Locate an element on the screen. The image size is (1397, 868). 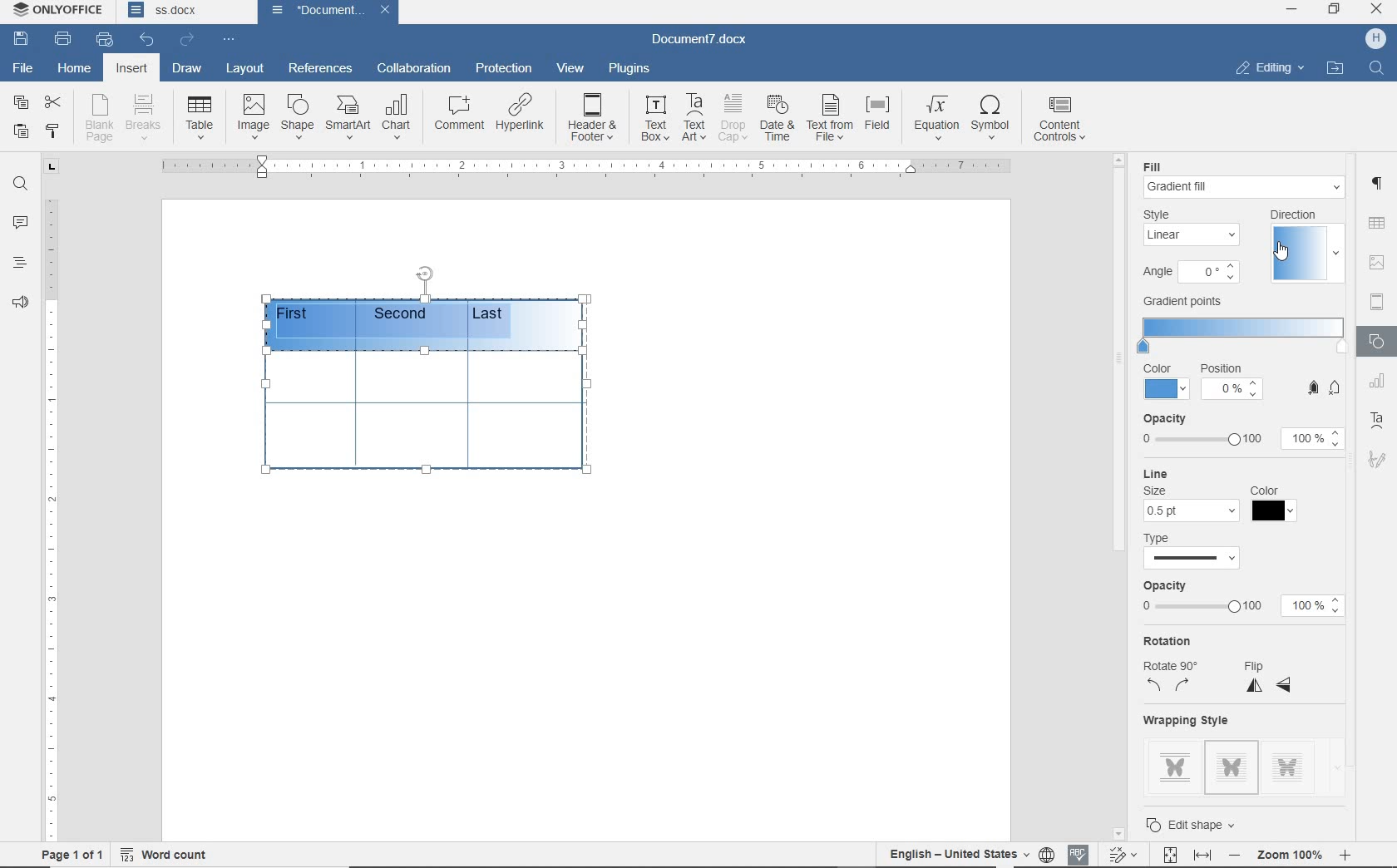
fill is located at coordinates (1159, 162).